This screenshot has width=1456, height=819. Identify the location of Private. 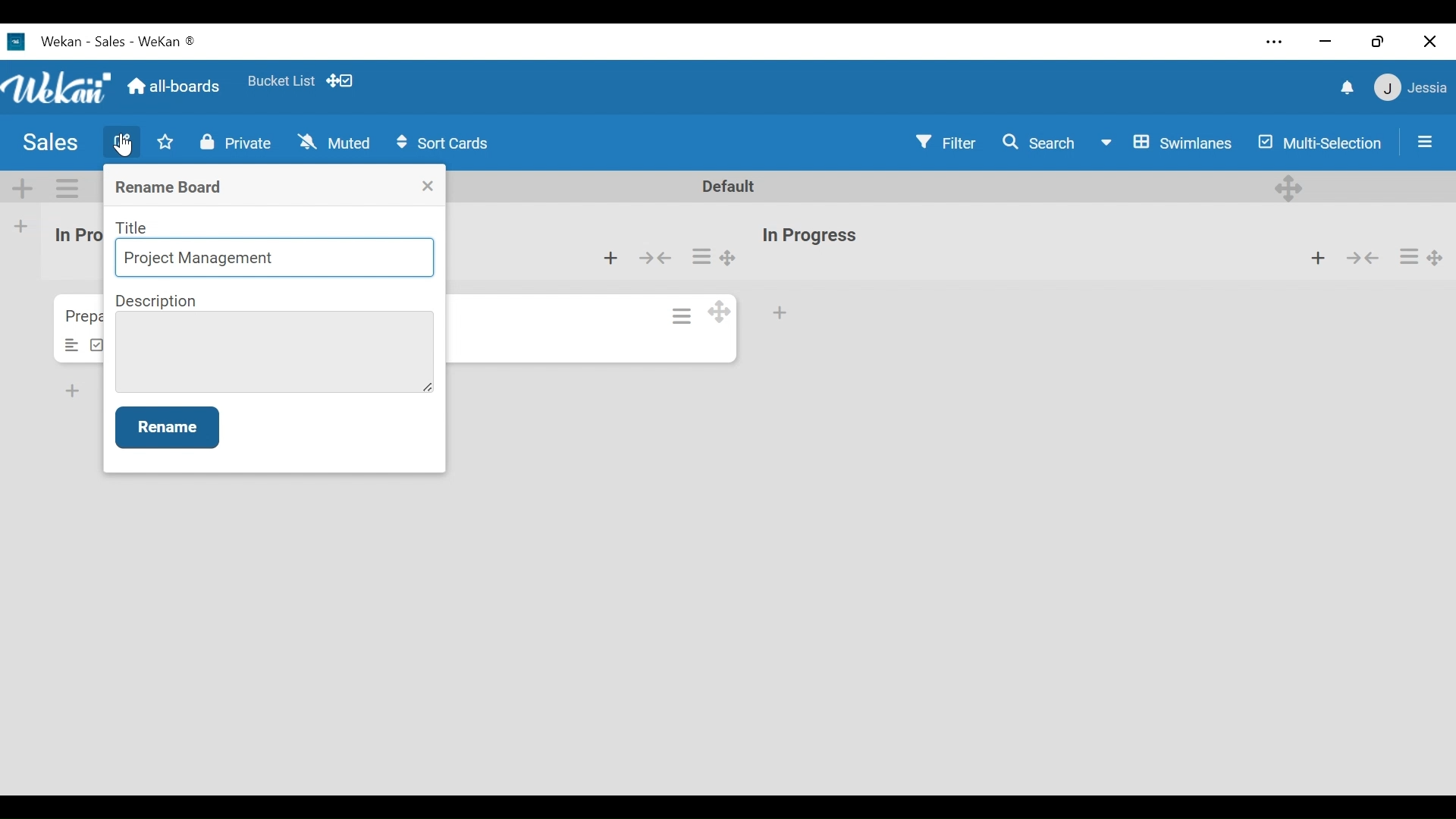
(240, 142).